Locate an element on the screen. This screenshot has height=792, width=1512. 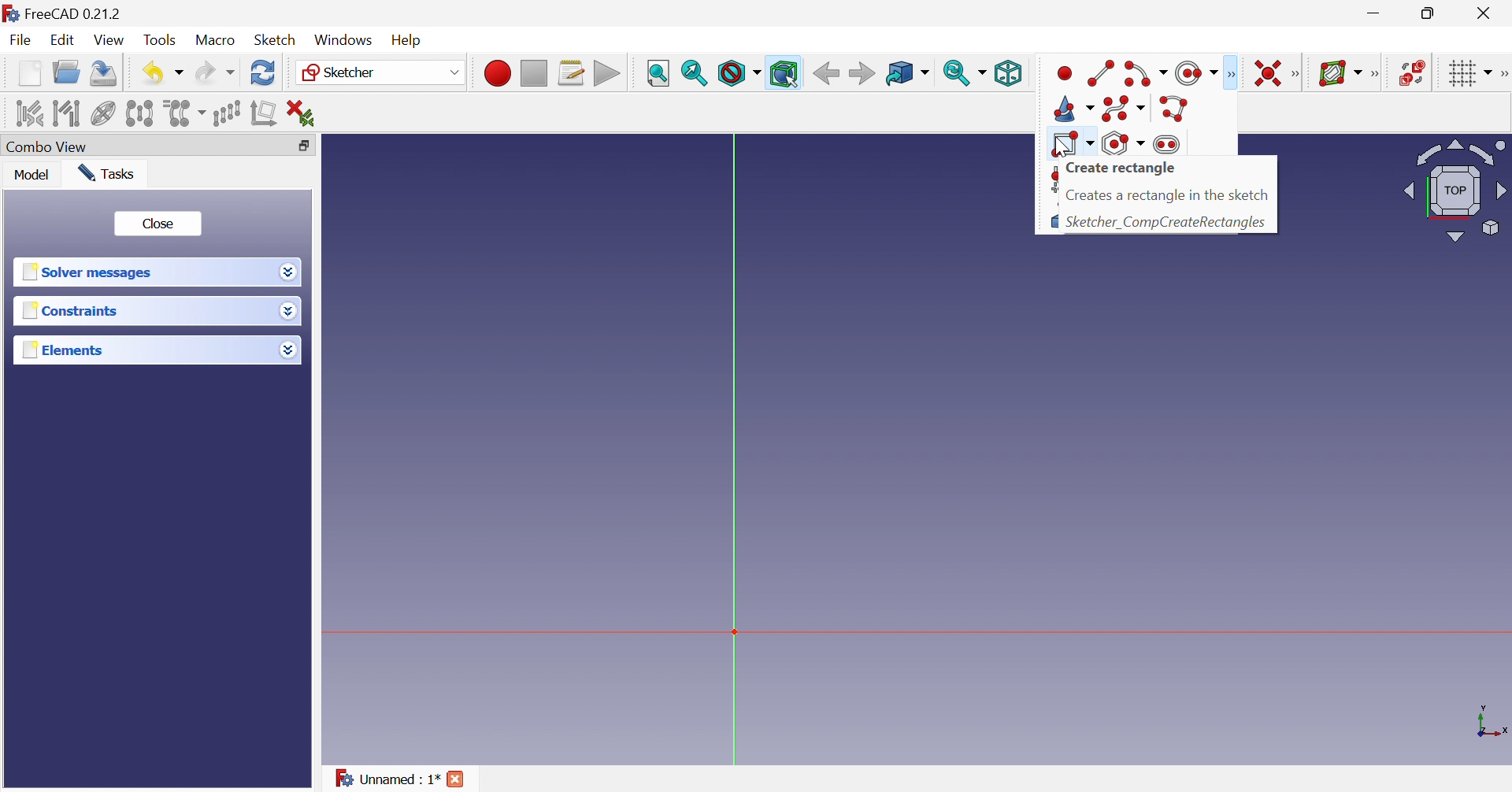
Sketcher_CompCreateRectangles is located at coordinates (1171, 220).